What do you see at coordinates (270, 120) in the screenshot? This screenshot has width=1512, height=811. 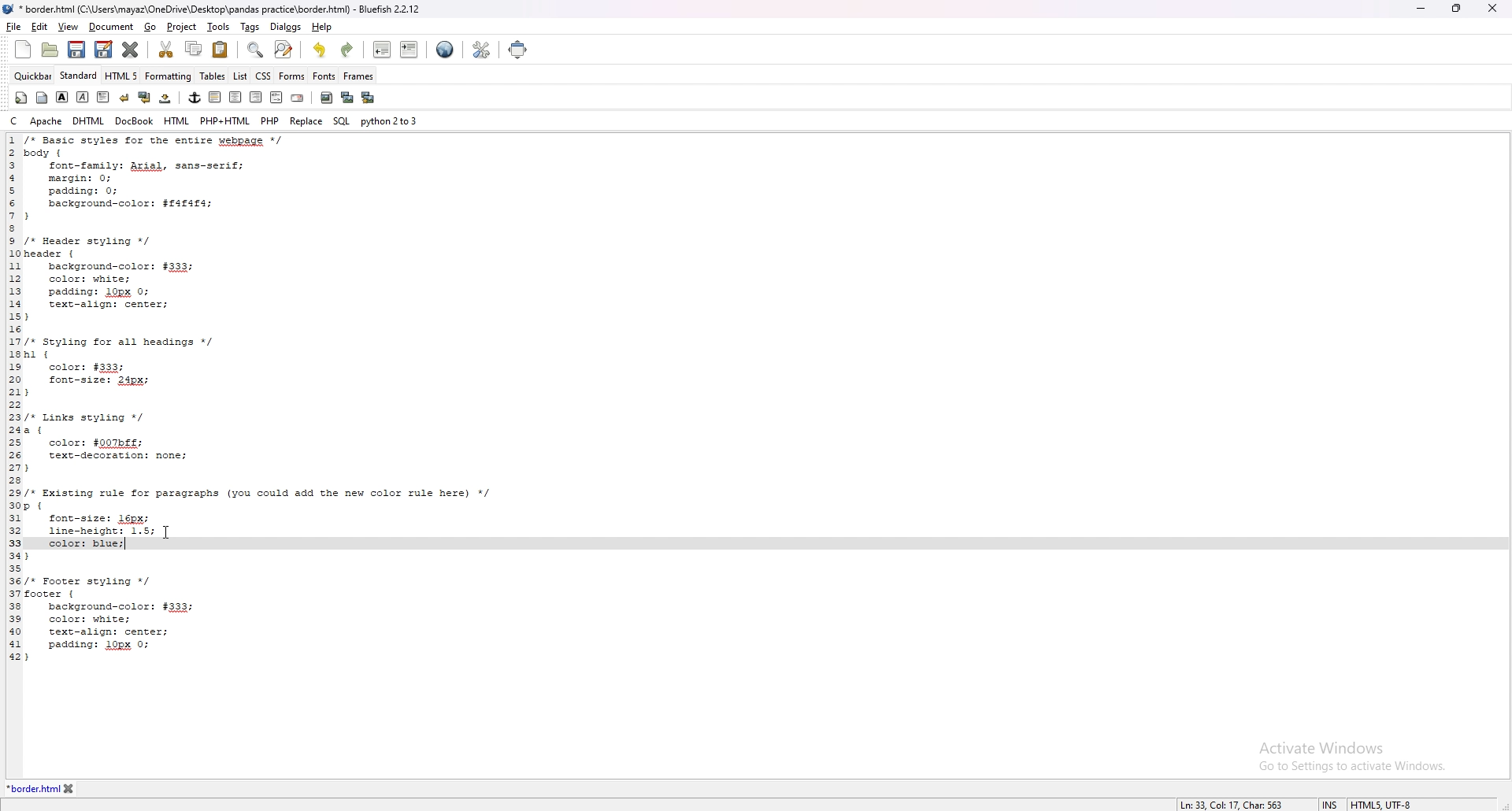 I see `php` at bounding box center [270, 120].